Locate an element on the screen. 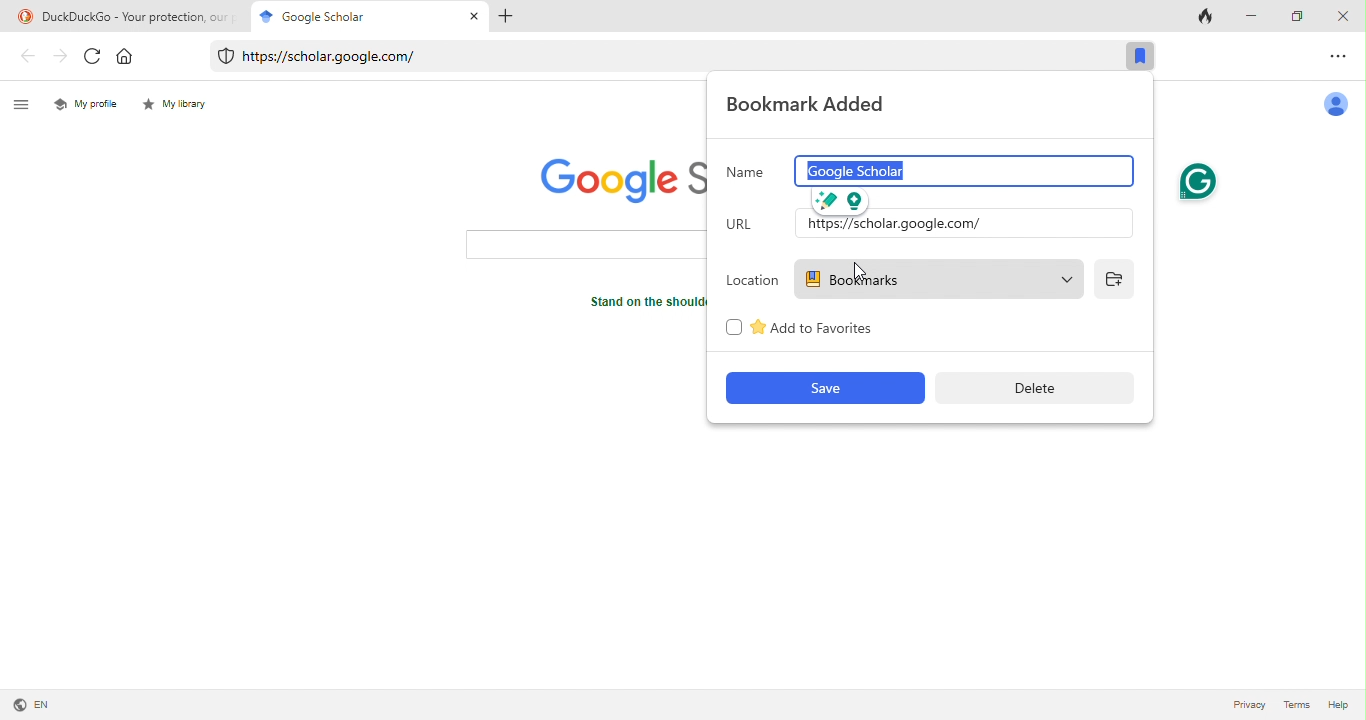 The height and width of the screenshot is (720, 1366). track tab is located at coordinates (1210, 15).